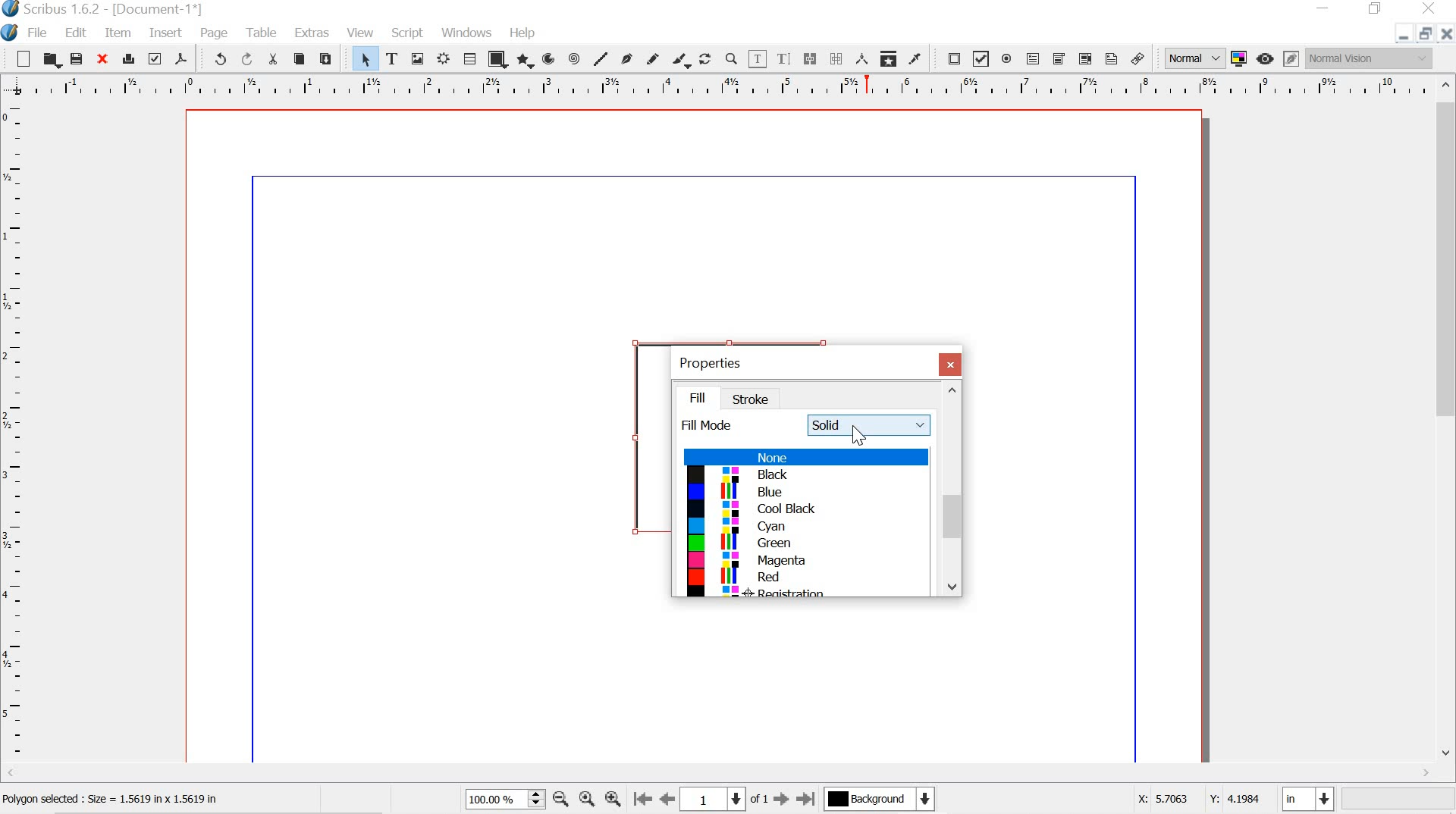  Describe the element at coordinates (469, 58) in the screenshot. I see `table` at that location.